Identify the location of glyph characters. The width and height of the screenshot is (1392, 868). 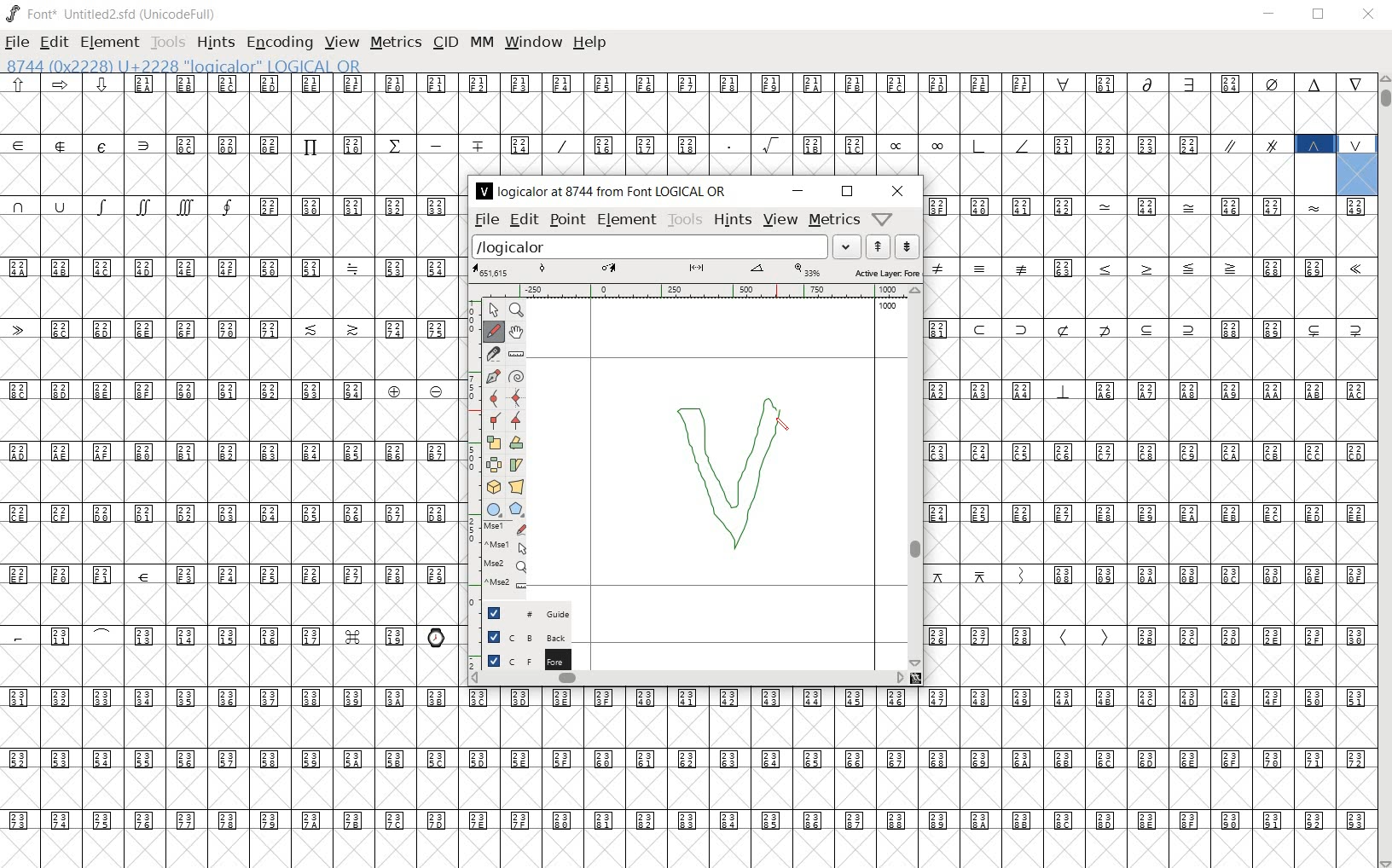
(896, 124).